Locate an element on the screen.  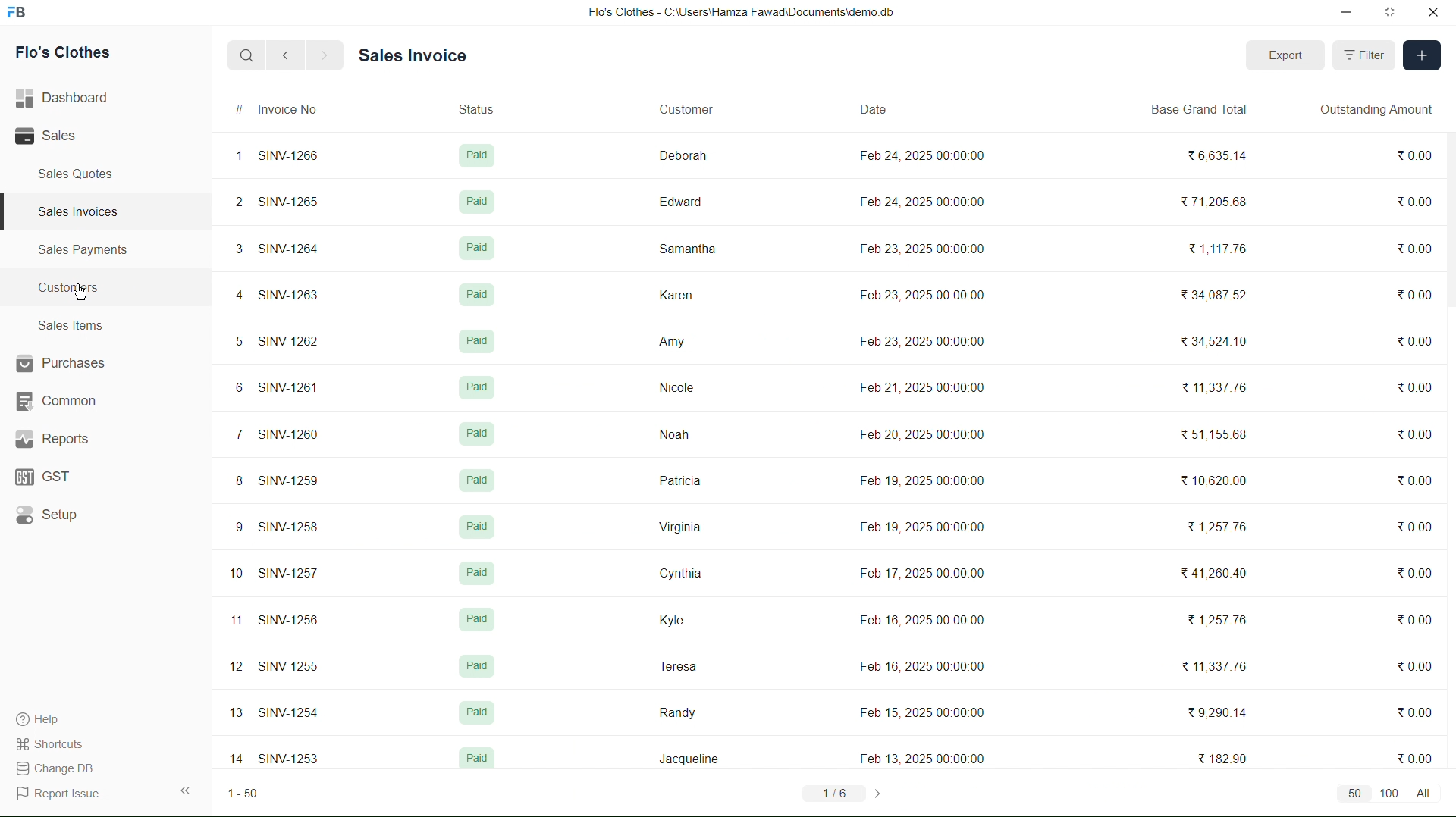
Paid is located at coordinates (476, 526).